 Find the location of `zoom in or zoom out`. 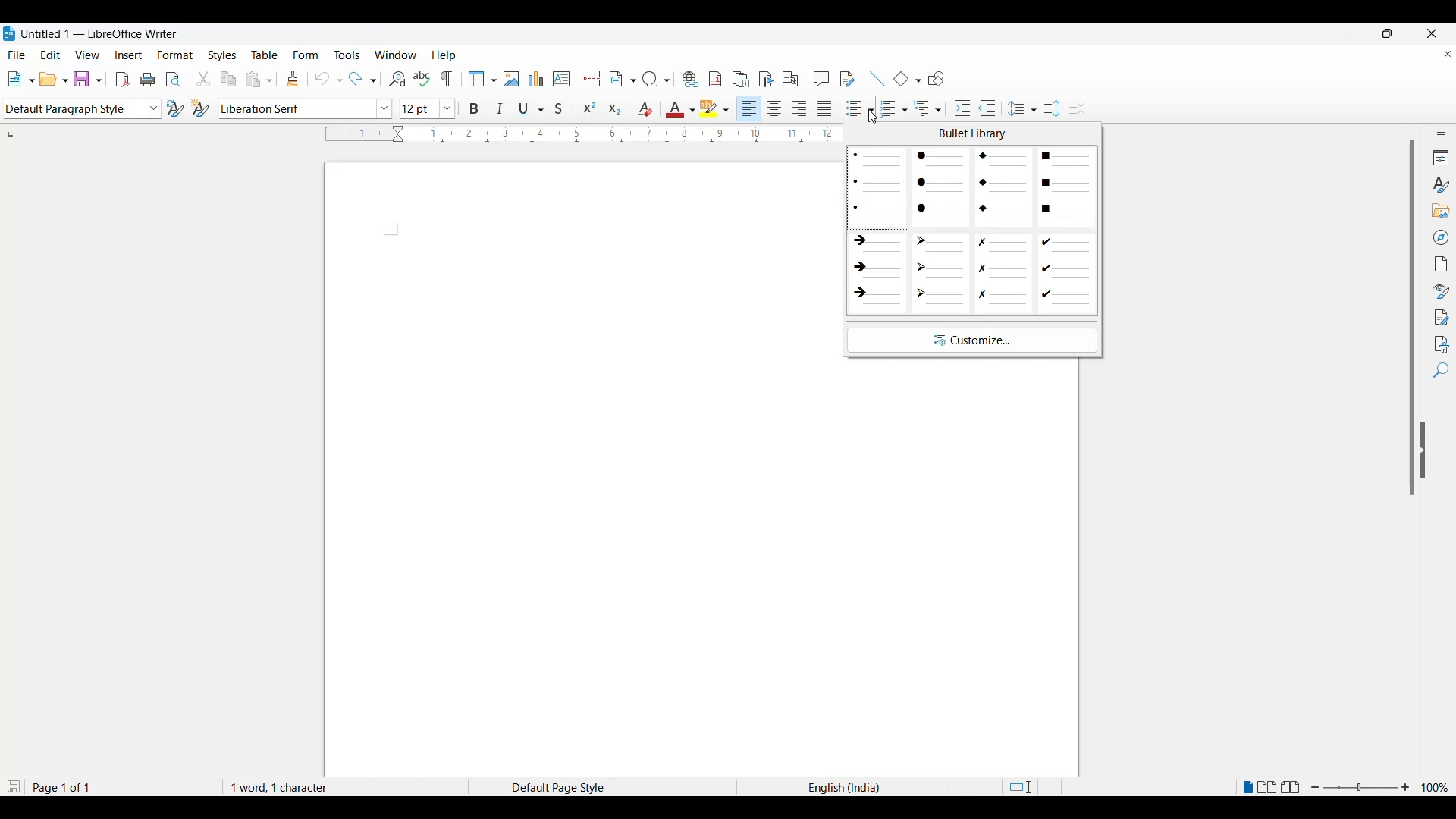

zoom in or zoom out is located at coordinates (1362, 787).